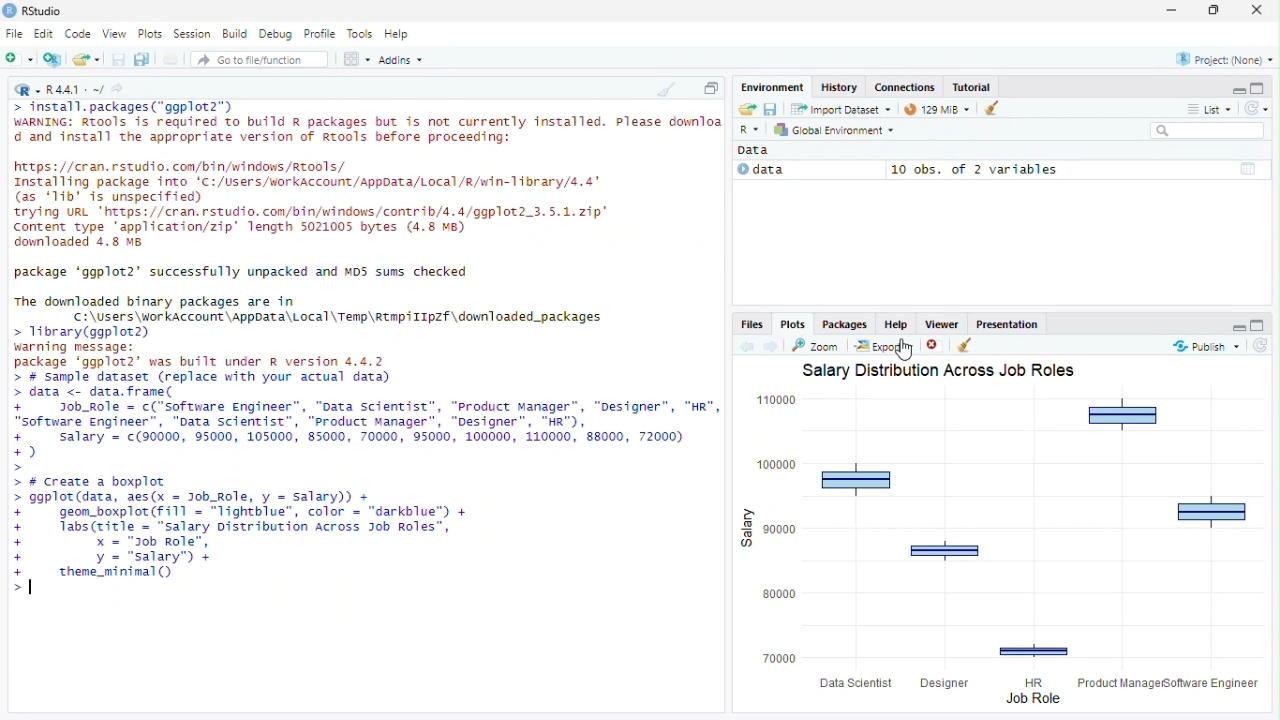 The image size is (1280, 720). Describe the element at coordinates (118, 59) in the screenshot. I see `Save current document` at that location.